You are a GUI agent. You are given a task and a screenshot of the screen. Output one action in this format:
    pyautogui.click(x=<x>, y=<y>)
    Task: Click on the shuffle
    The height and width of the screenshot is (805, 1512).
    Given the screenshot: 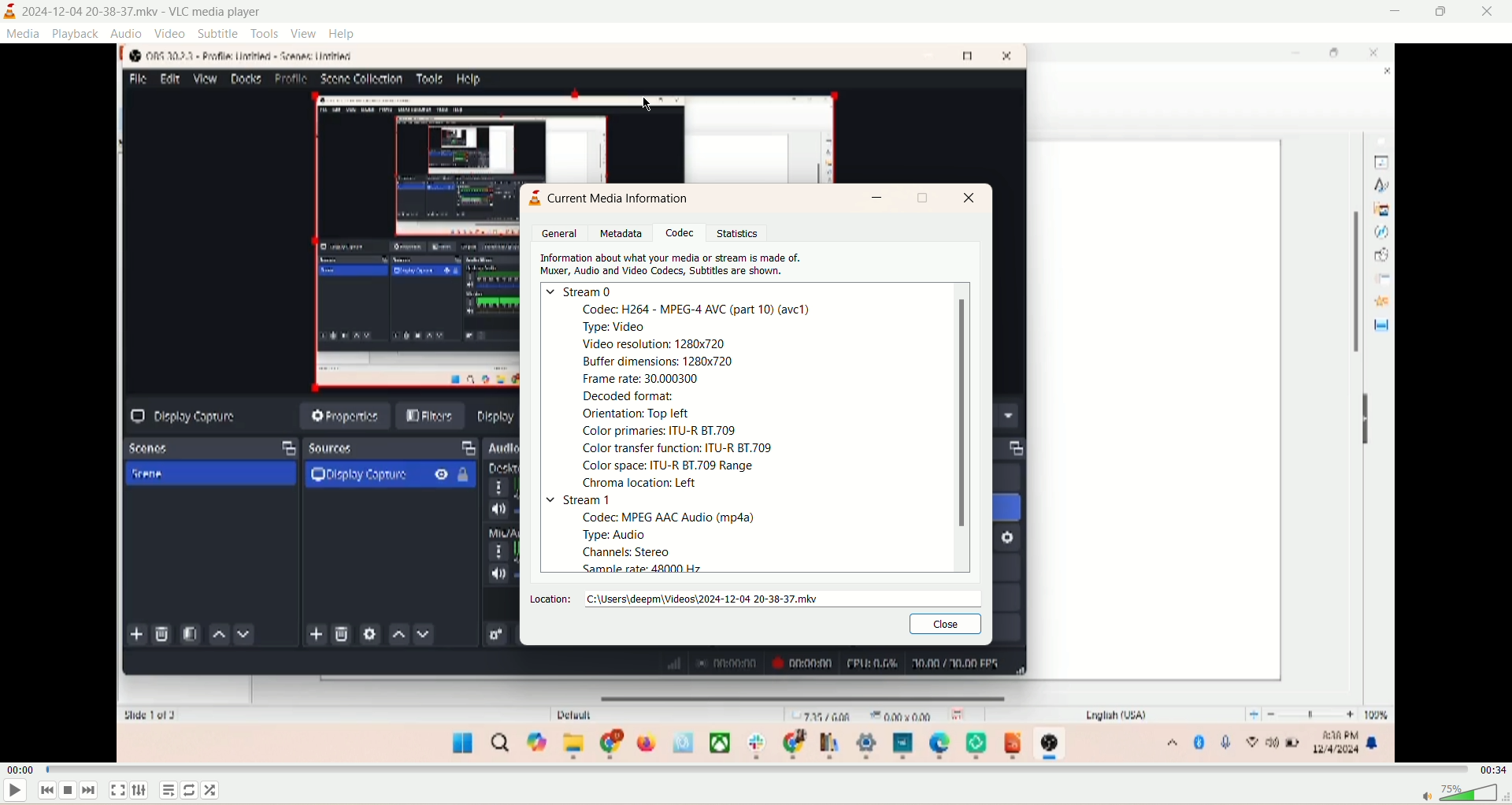 What is the action you would take?
    pyautogui.click(x=216, y=791)
    